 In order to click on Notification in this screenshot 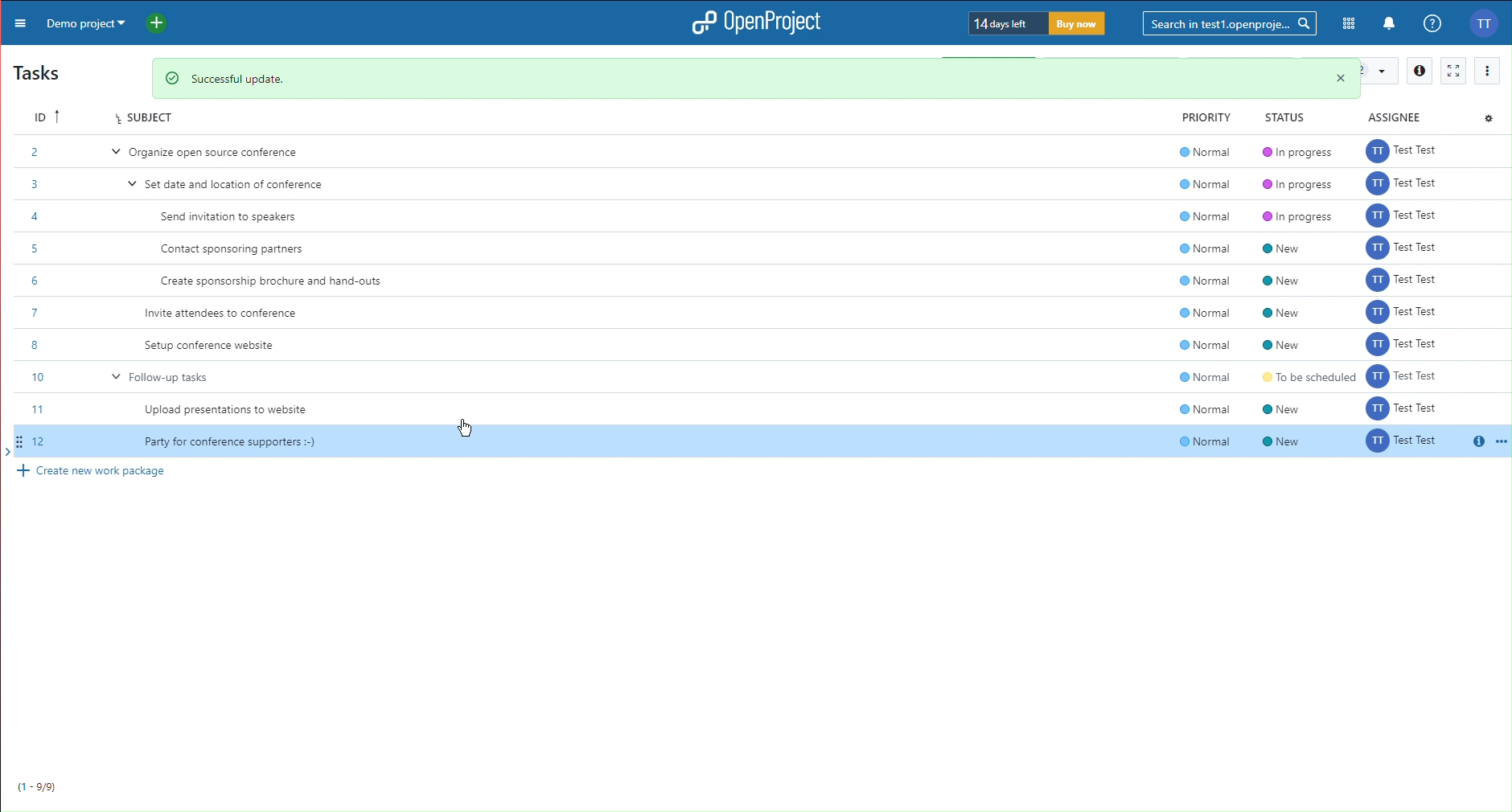, I will do `click(1390, 25)`.